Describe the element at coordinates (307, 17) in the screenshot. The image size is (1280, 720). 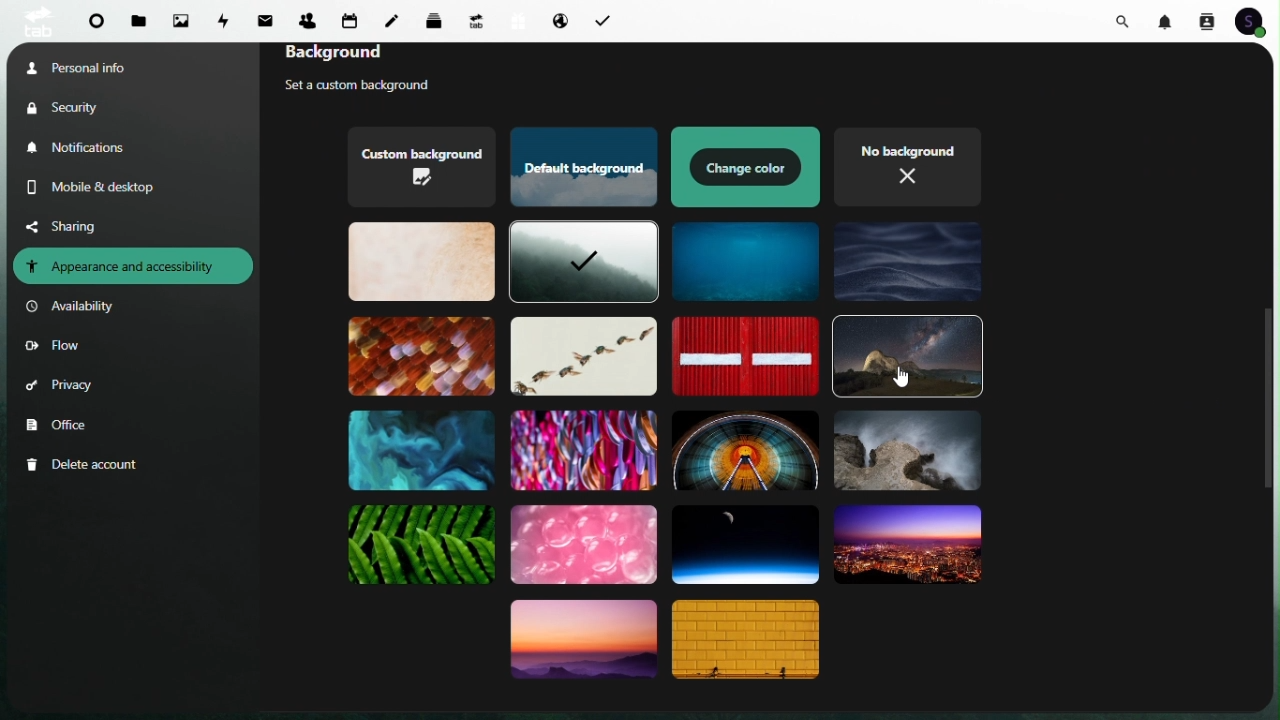
I see `Contacts` at that location.